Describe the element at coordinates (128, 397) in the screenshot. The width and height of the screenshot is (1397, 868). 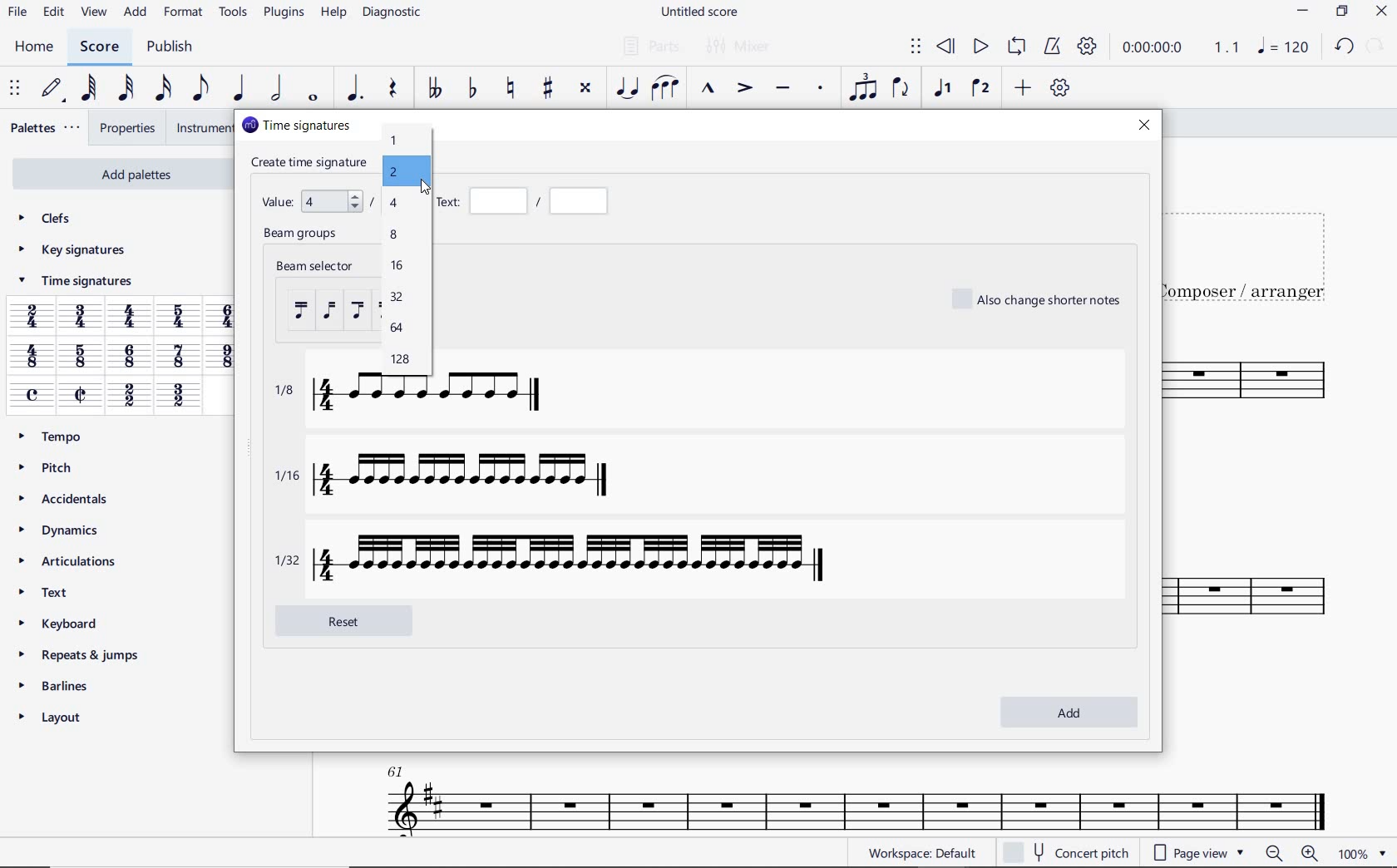
I see `2/2` at that location.